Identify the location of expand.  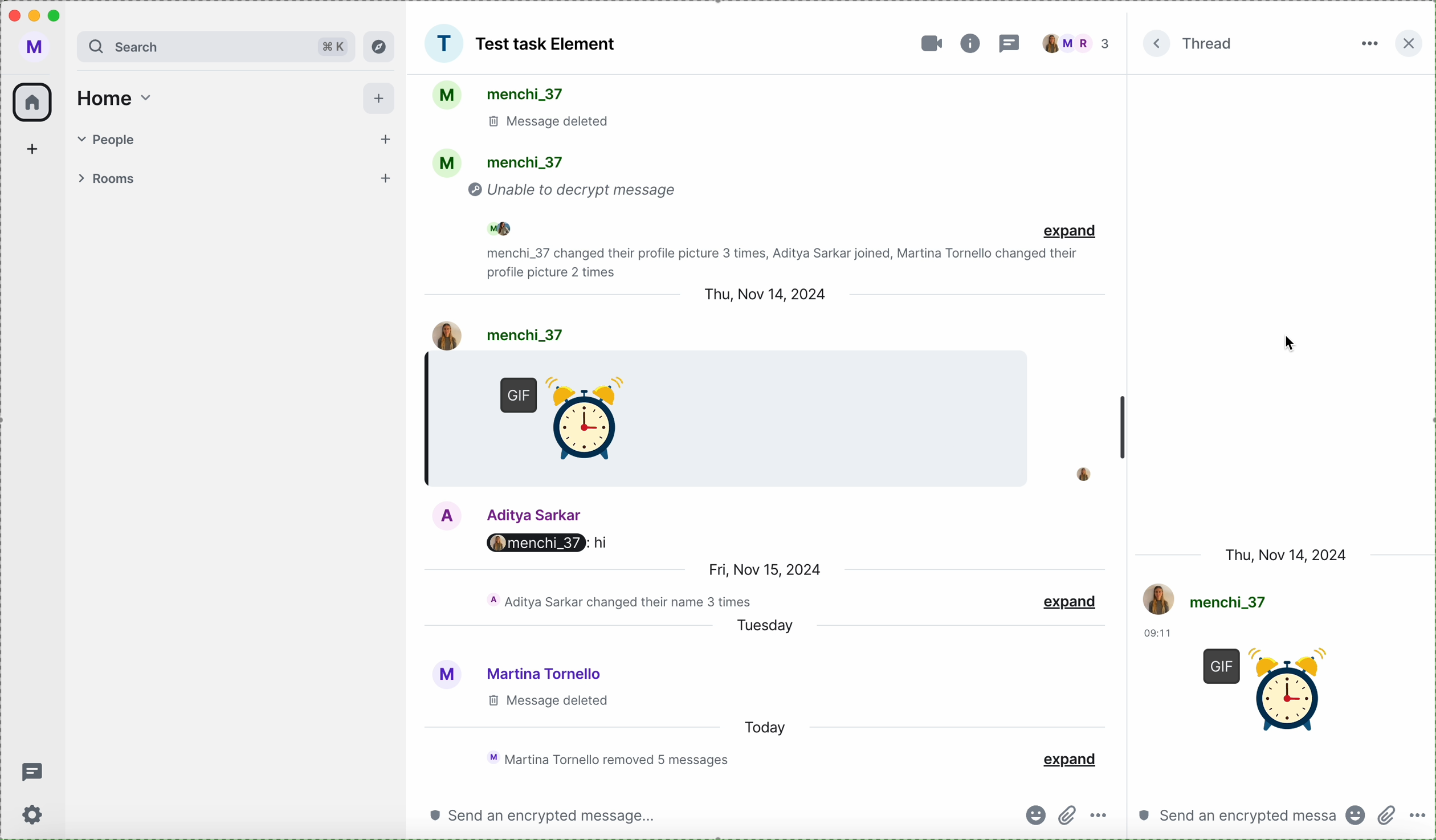
(1072, 599).